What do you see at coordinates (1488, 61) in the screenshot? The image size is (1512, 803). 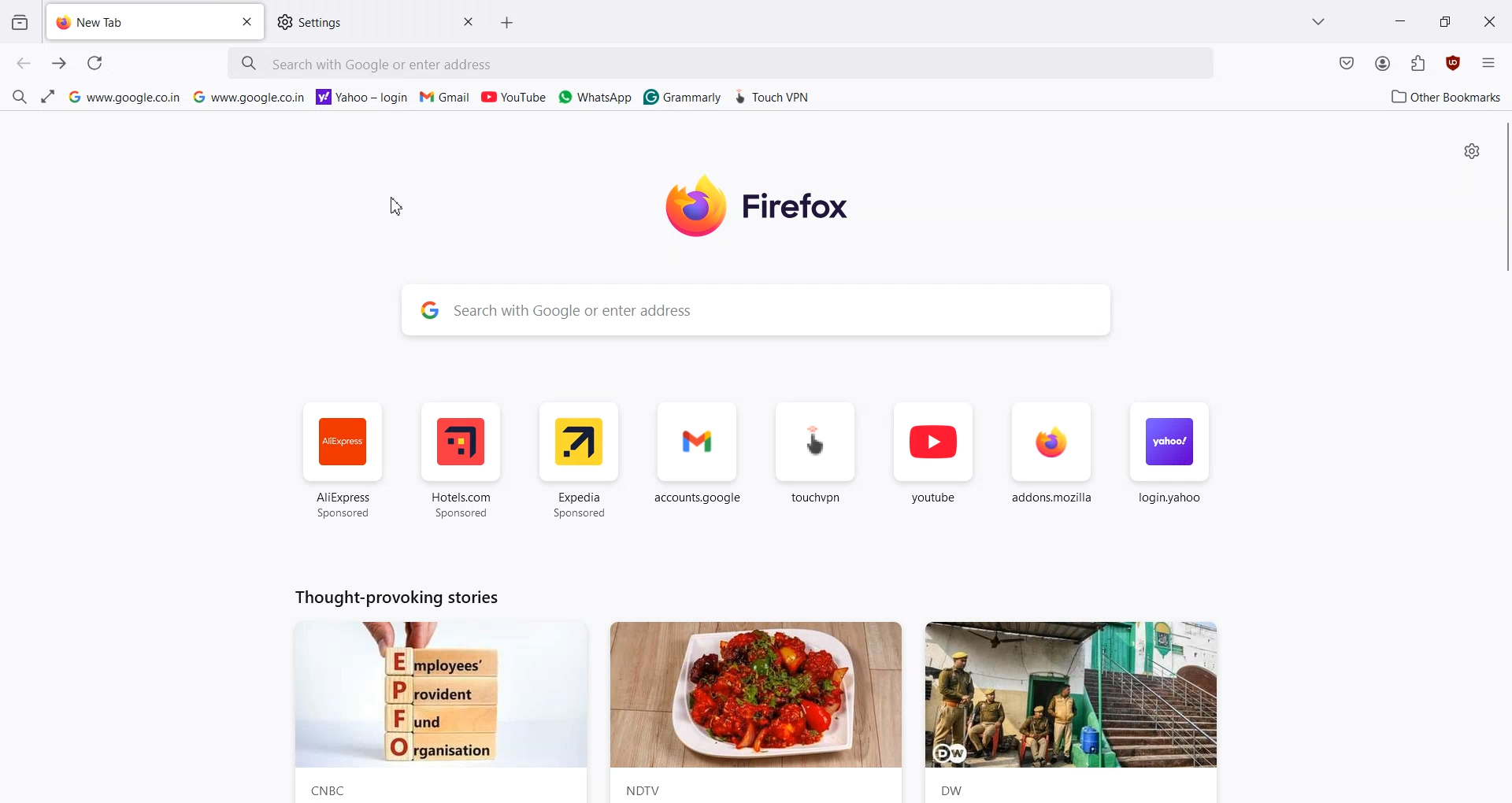 I see `Open application menu` at bounding box center [1488, 61].